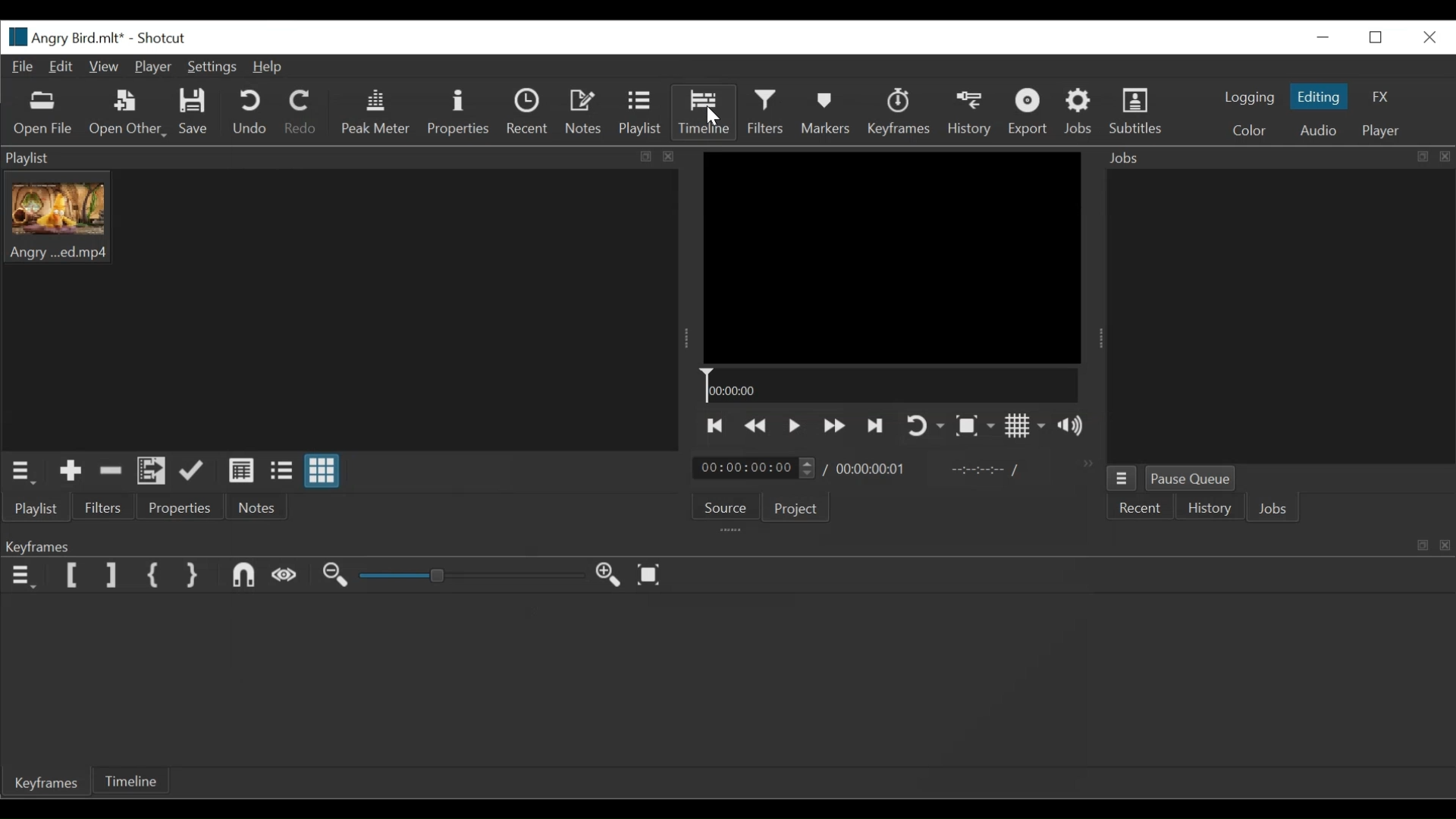 Image resolution: width=1456 pixels, height=819 pixels. I want to click on Snap, so click(244, 576).